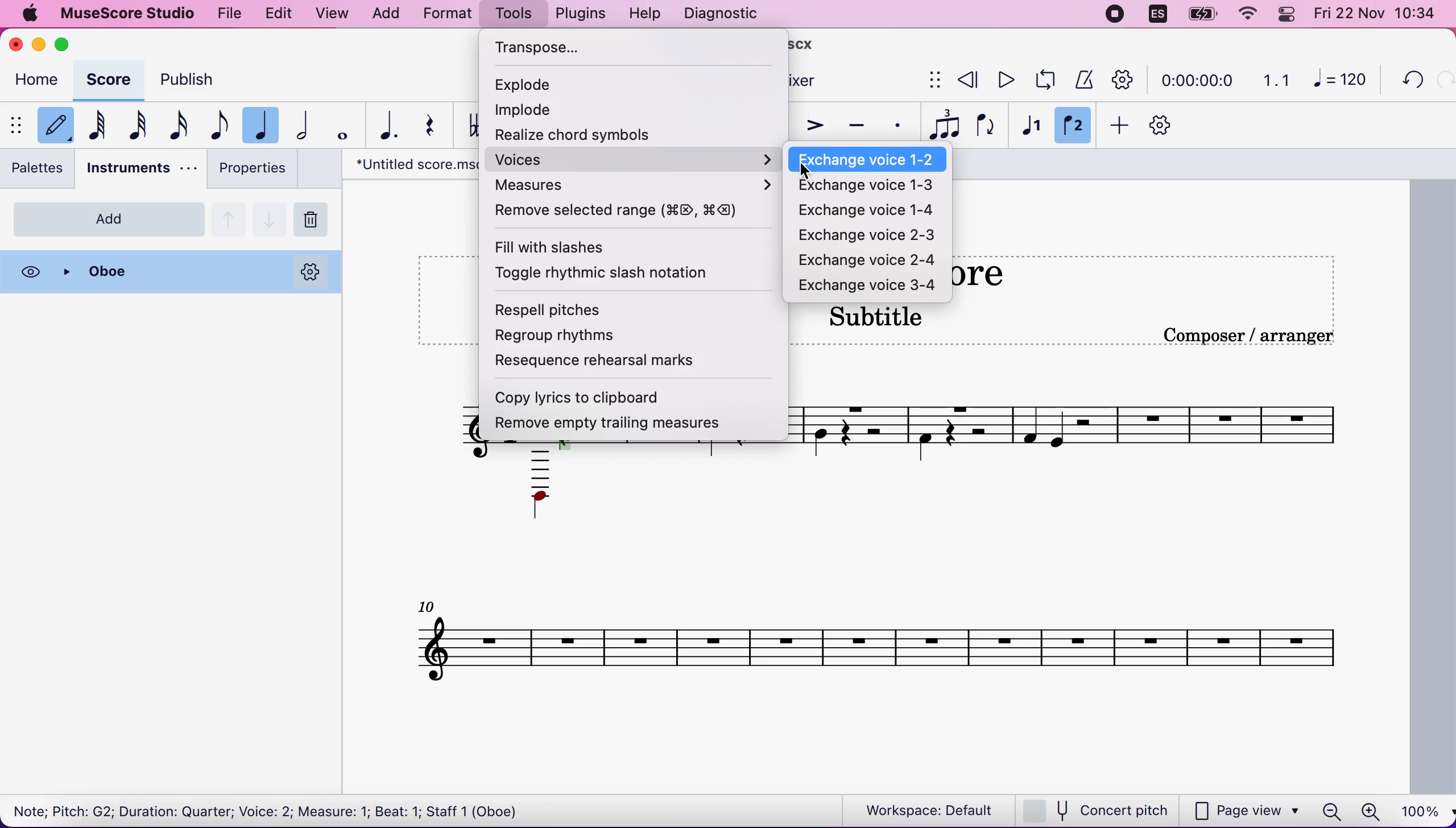  I want to click on diagnostic, so click(729, 14).